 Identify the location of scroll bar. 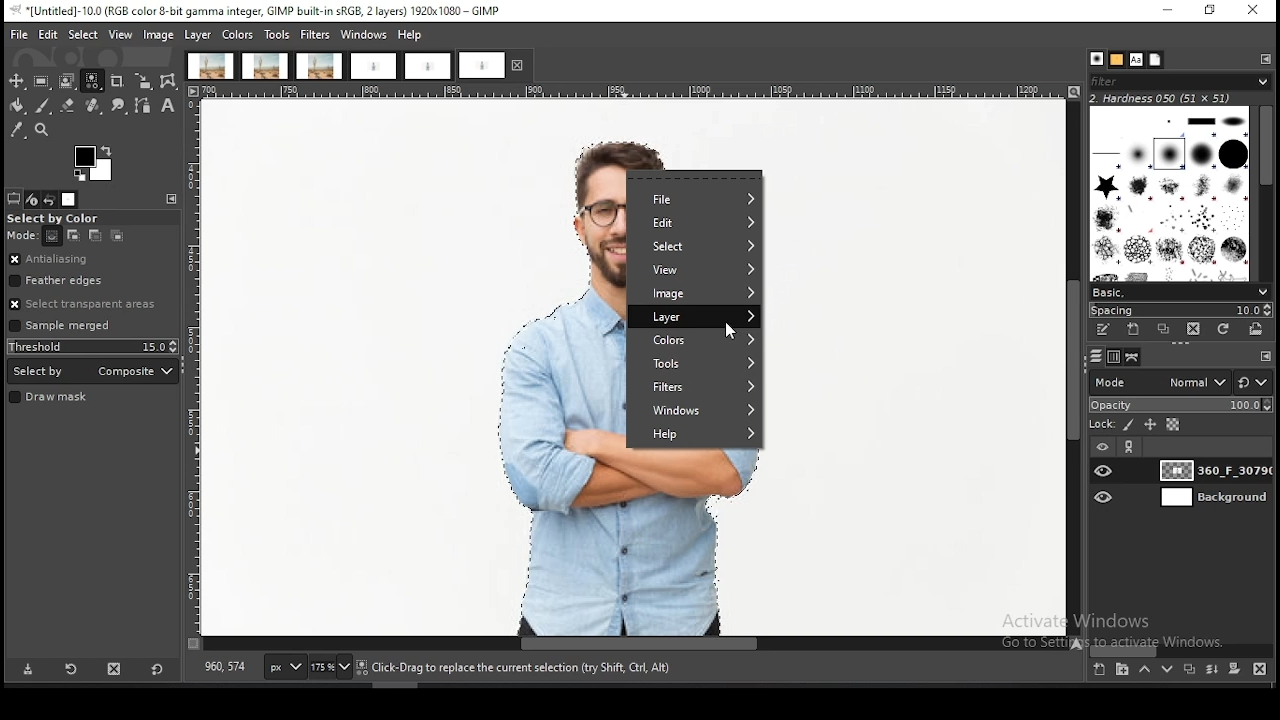
(1074, 368).